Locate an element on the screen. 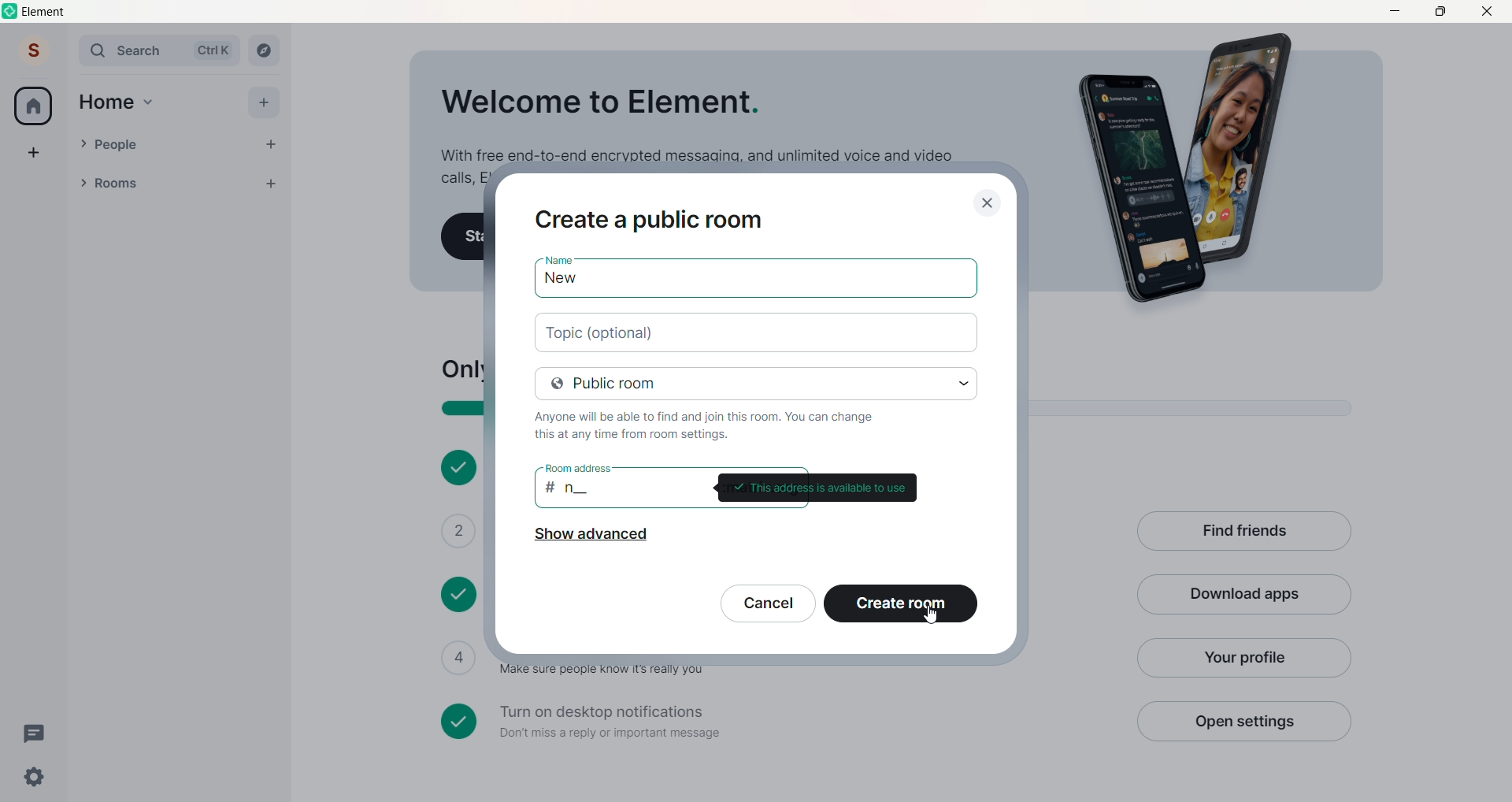 This screenshot has width=1512, height=802. This address is available to use is located at coordinates (816, 488).